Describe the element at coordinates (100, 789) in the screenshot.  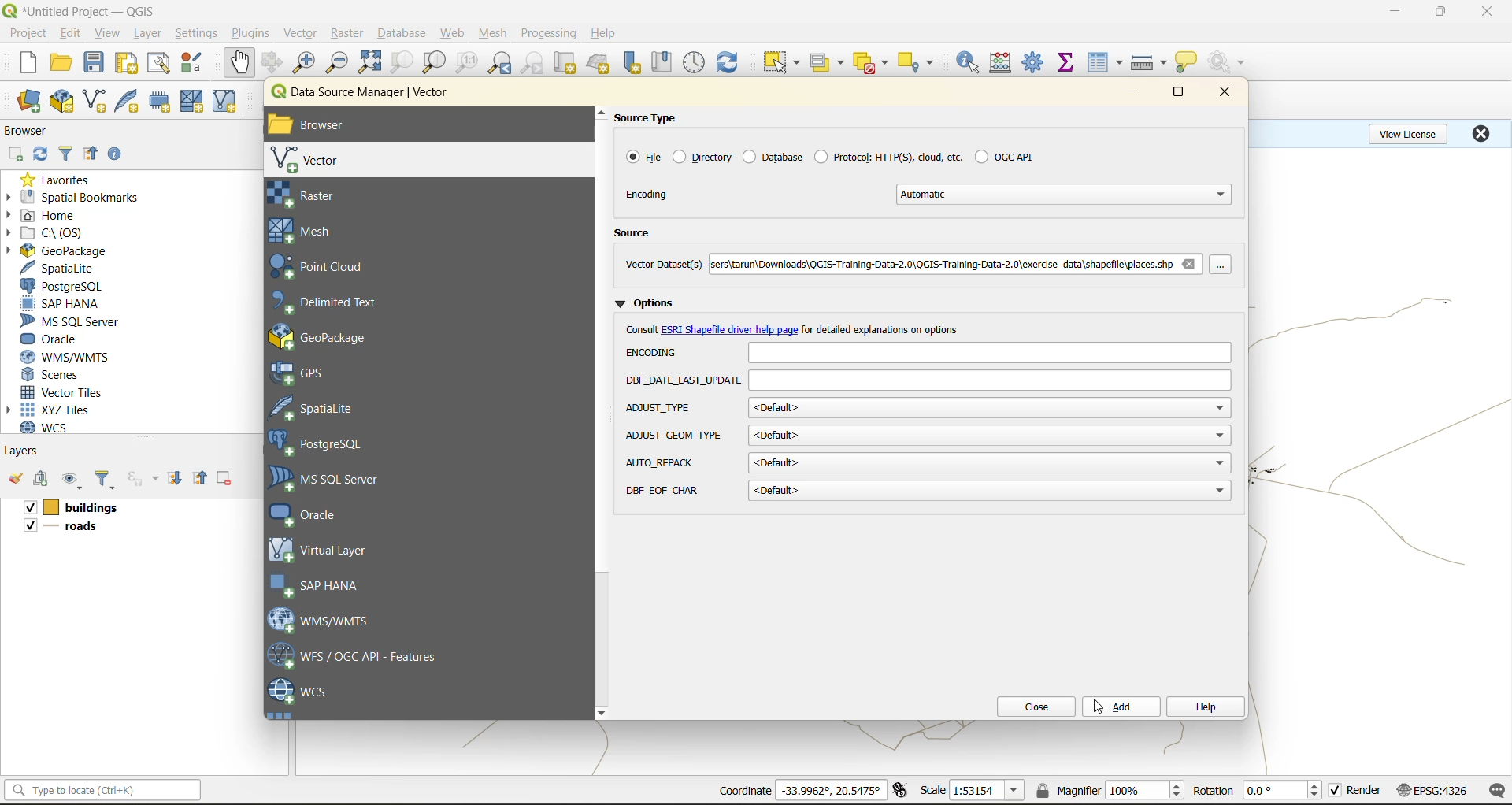
I see `status bar` at that location.